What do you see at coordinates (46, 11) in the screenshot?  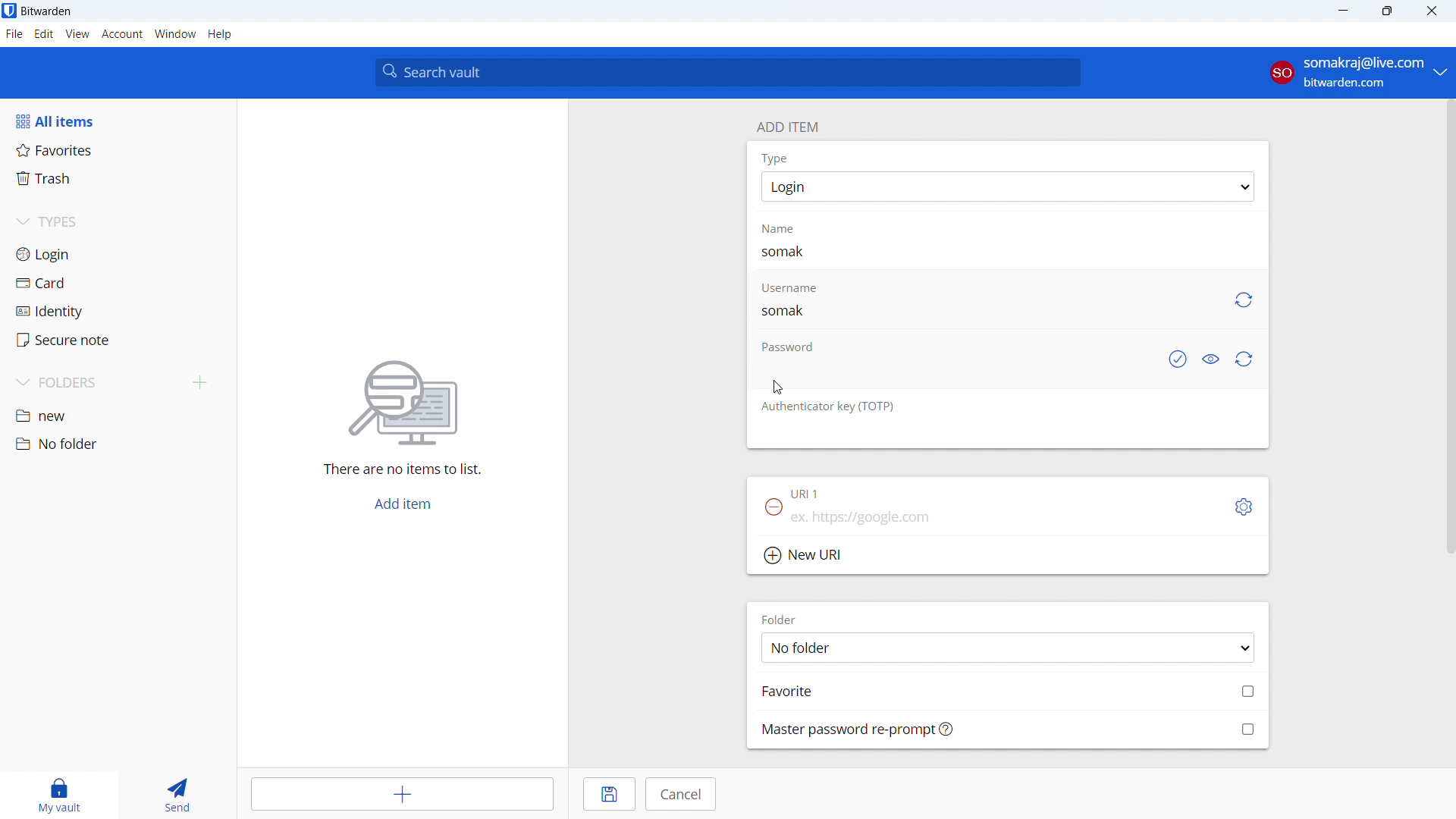 I see `title` at bounding box center [46, 11].